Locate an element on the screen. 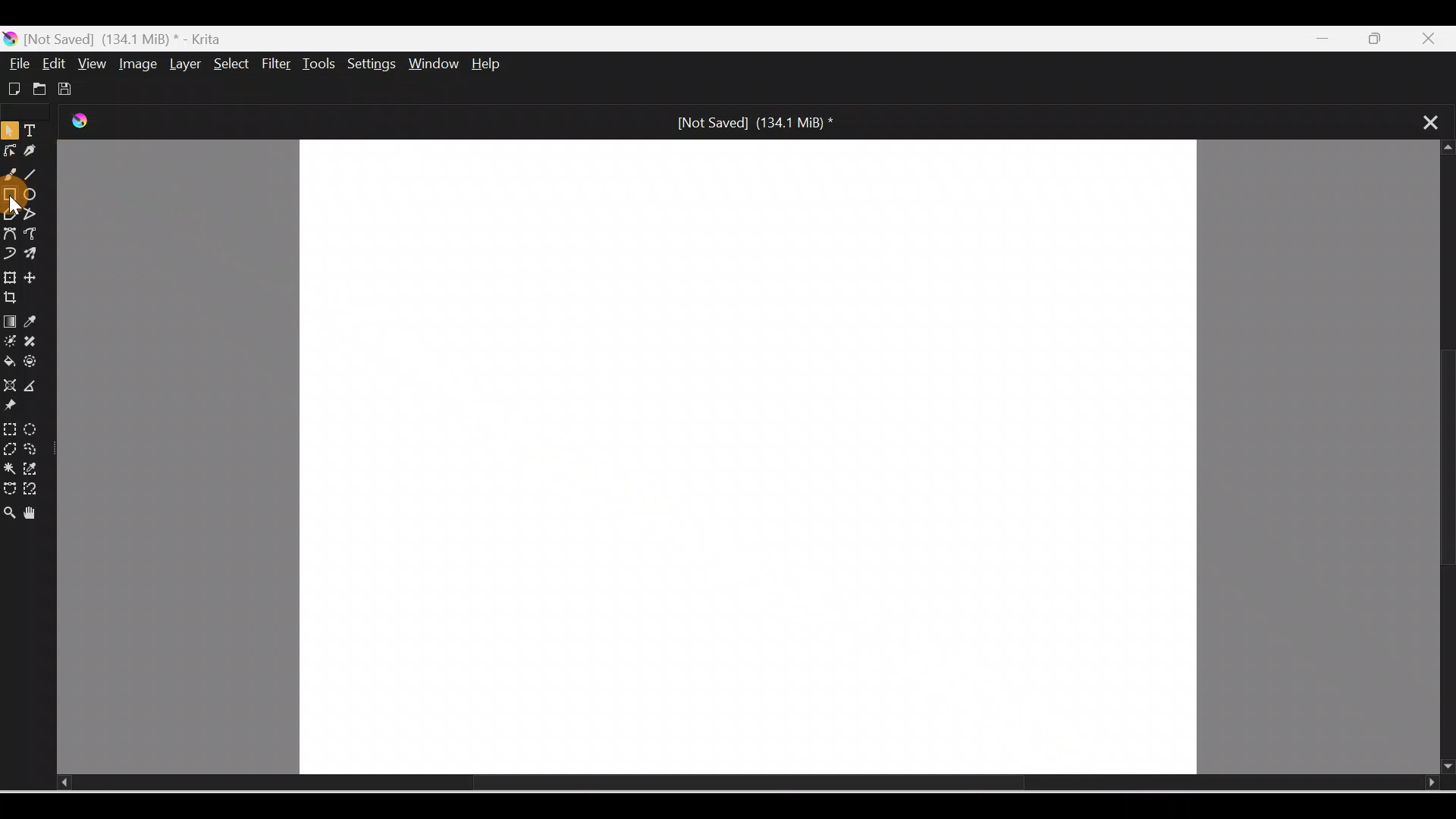 The image size is (1456, 819). Edit shapes tool is located at coordinates (9, 155).